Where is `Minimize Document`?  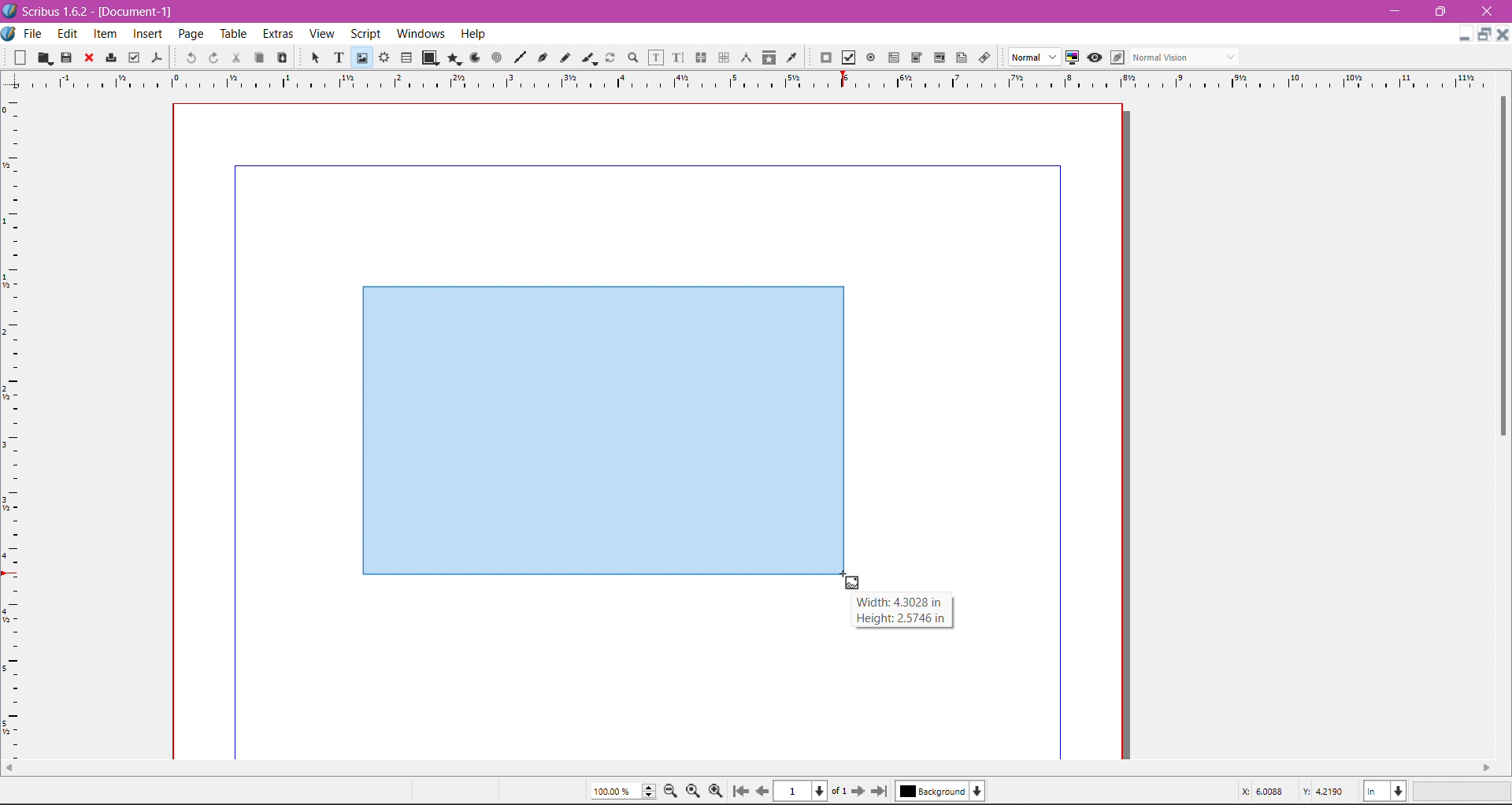
Minimize Document is located at coordinates (1485, 35).